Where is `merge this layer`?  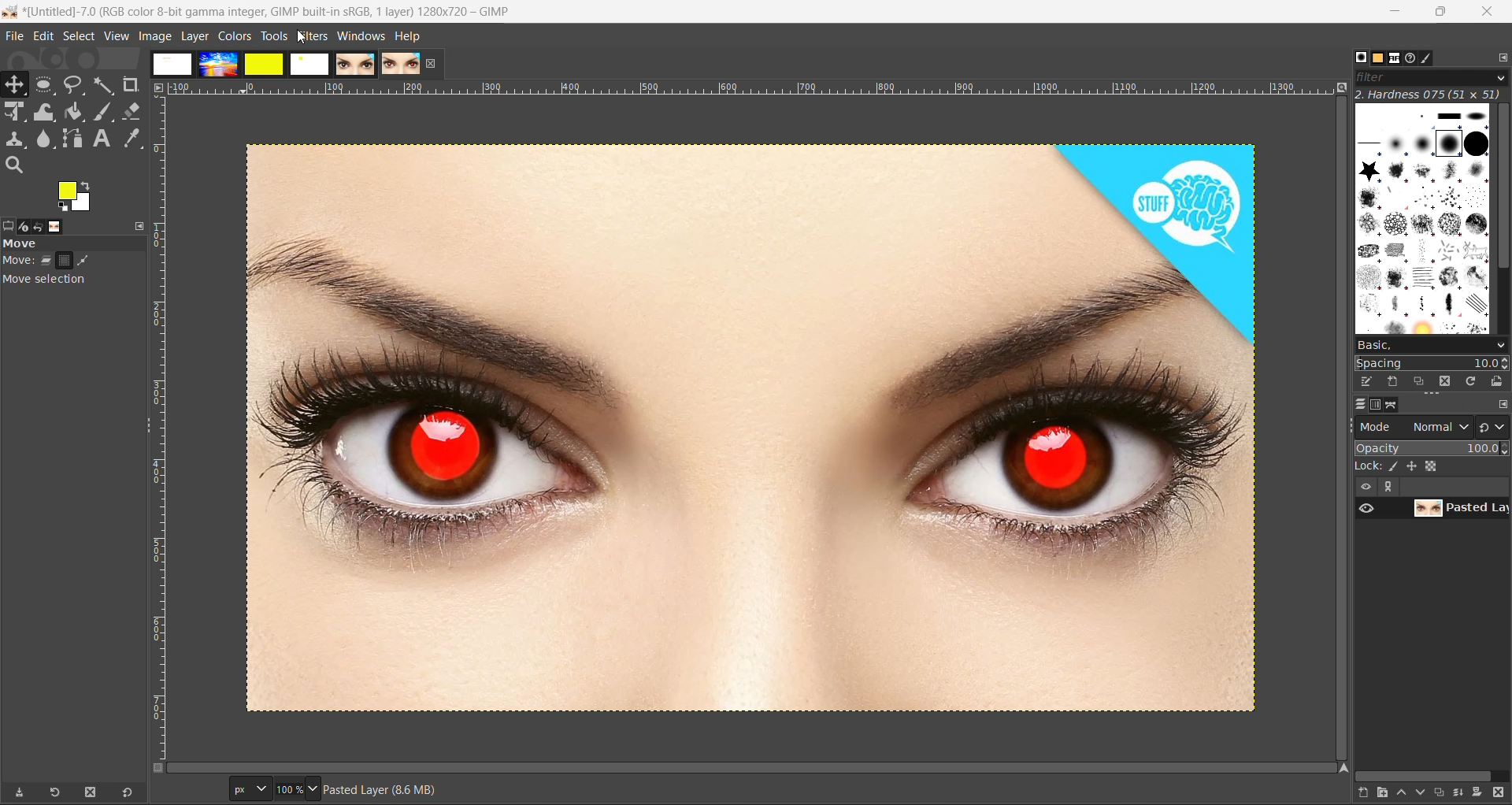 merge this layer is located at coordinates (1461, 793).